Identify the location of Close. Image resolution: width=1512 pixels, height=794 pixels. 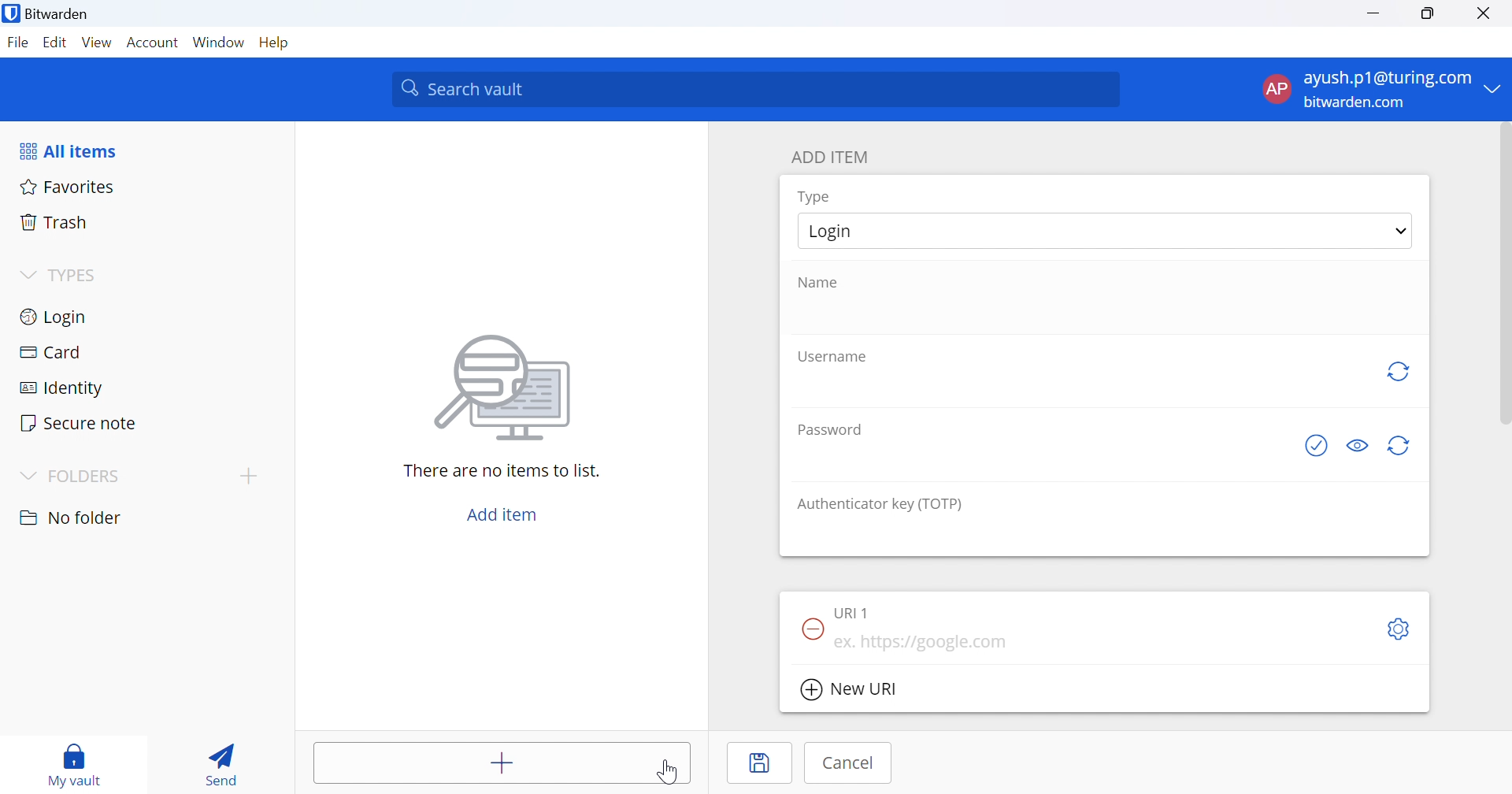
(1486, 15).